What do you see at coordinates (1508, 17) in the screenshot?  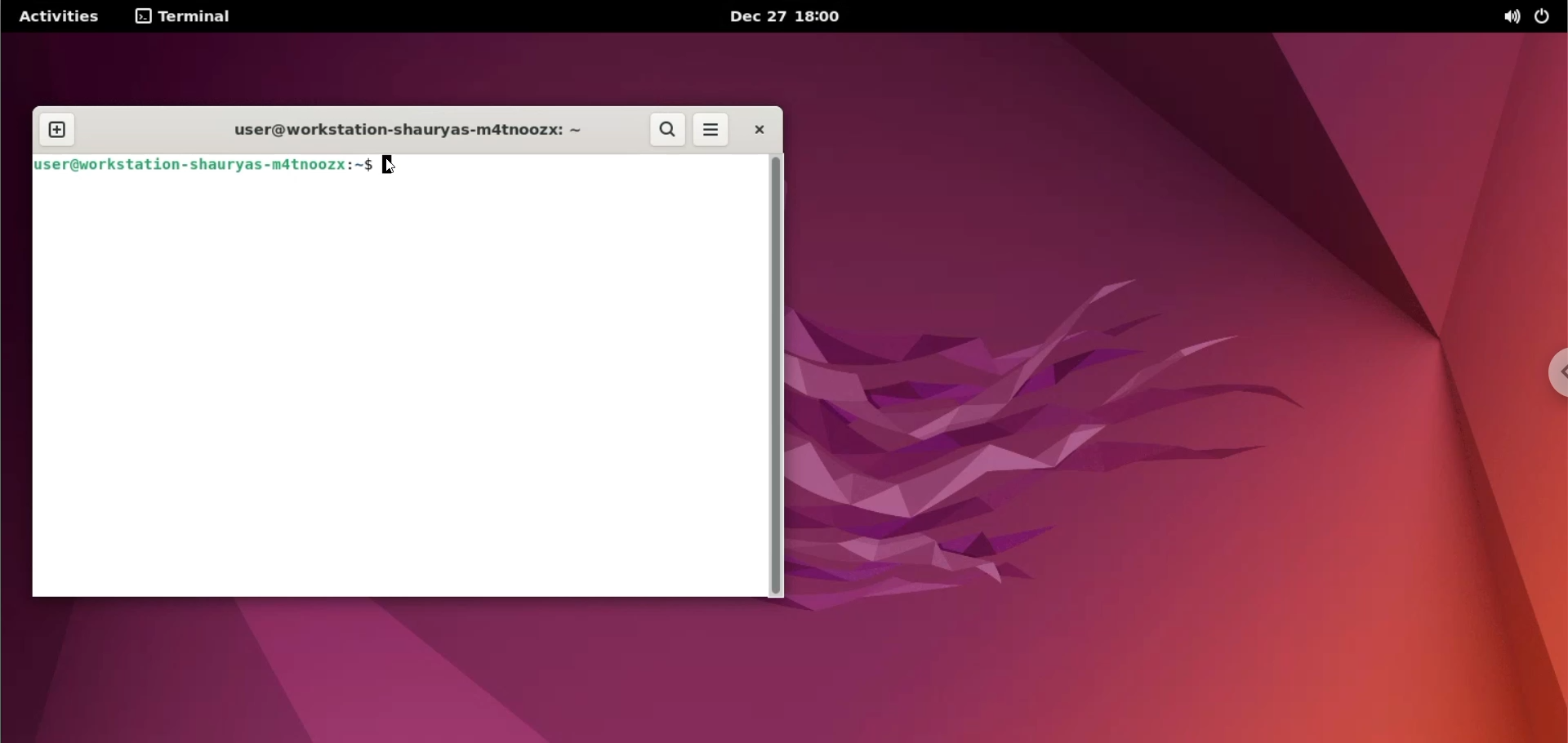 I see `sound options` at bounding box center [1508, 17].